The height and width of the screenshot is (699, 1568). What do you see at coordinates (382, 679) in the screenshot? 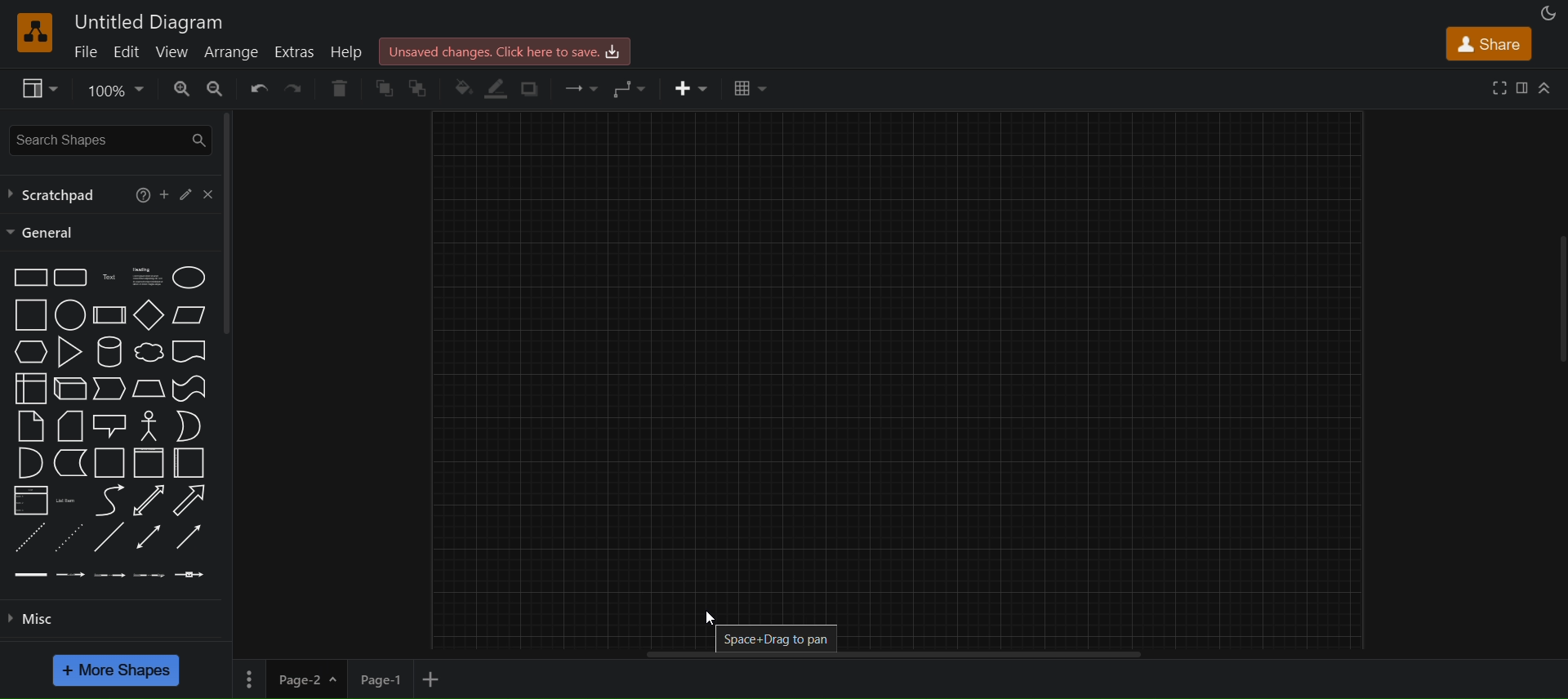
I see `page 1` at bounding box center [382, 679].